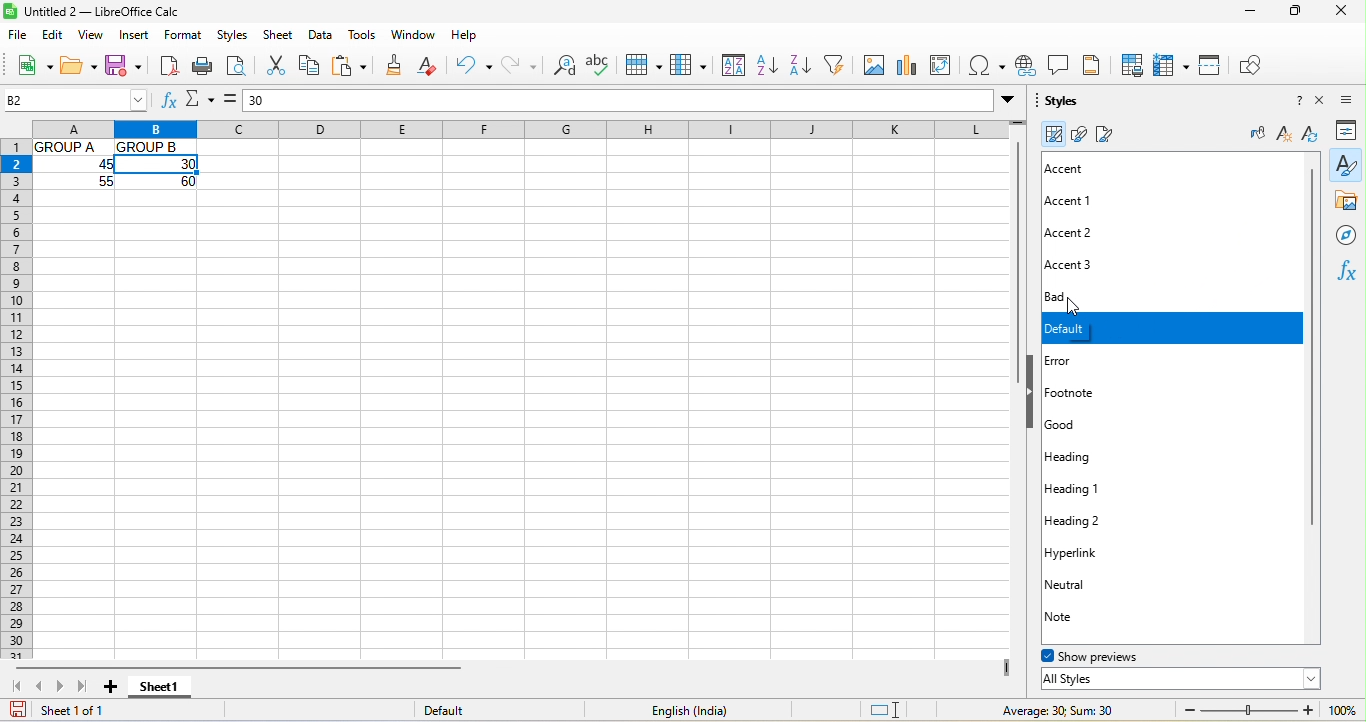 The height and width of the screenshot is (722, 1366). Describe the element at coordinates (1350, 273) in the screenshot. I see `function` at that location.